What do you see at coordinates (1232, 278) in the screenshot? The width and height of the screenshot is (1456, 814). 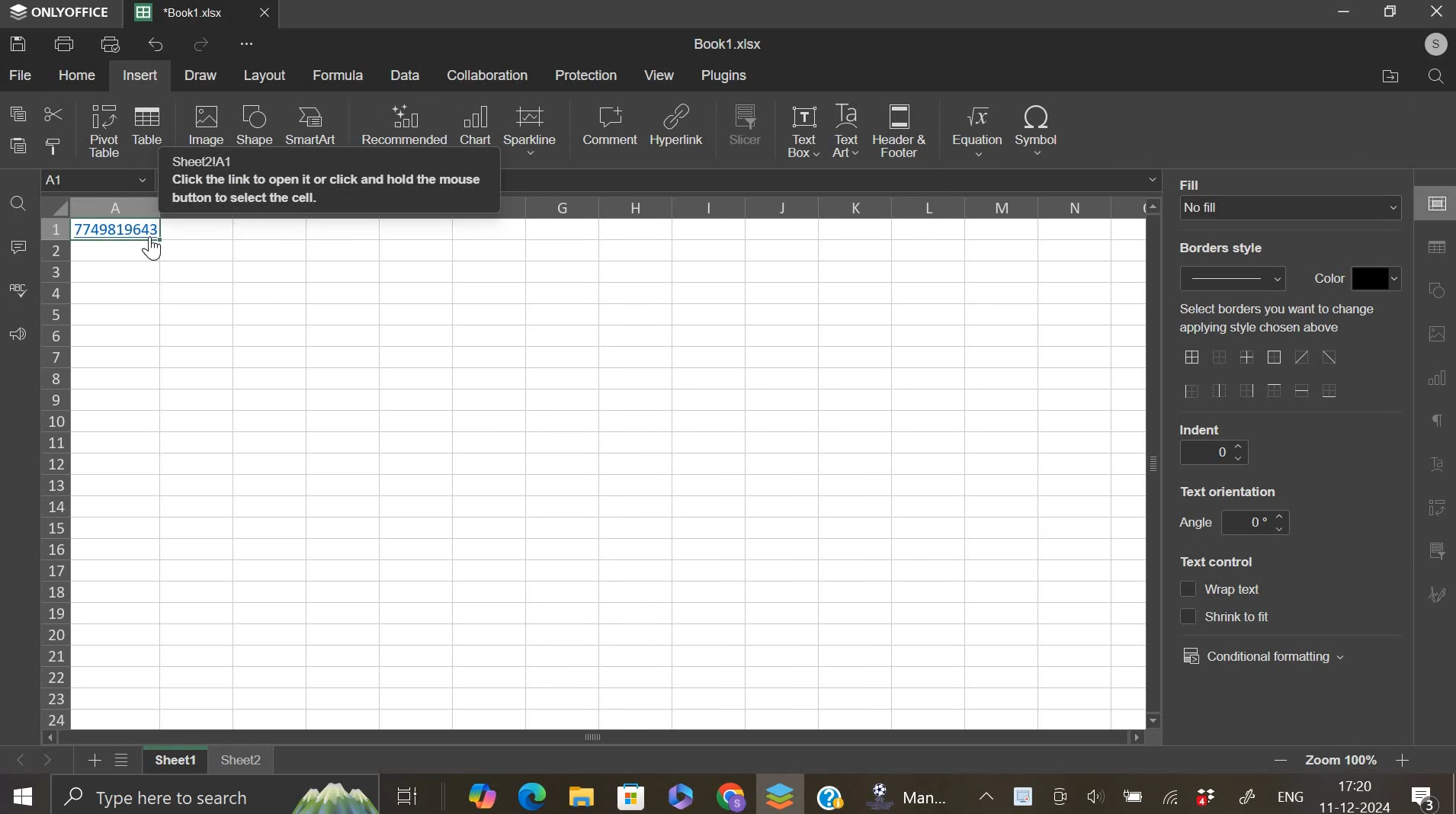 I see `border style` at bounding box center [1232, 278].